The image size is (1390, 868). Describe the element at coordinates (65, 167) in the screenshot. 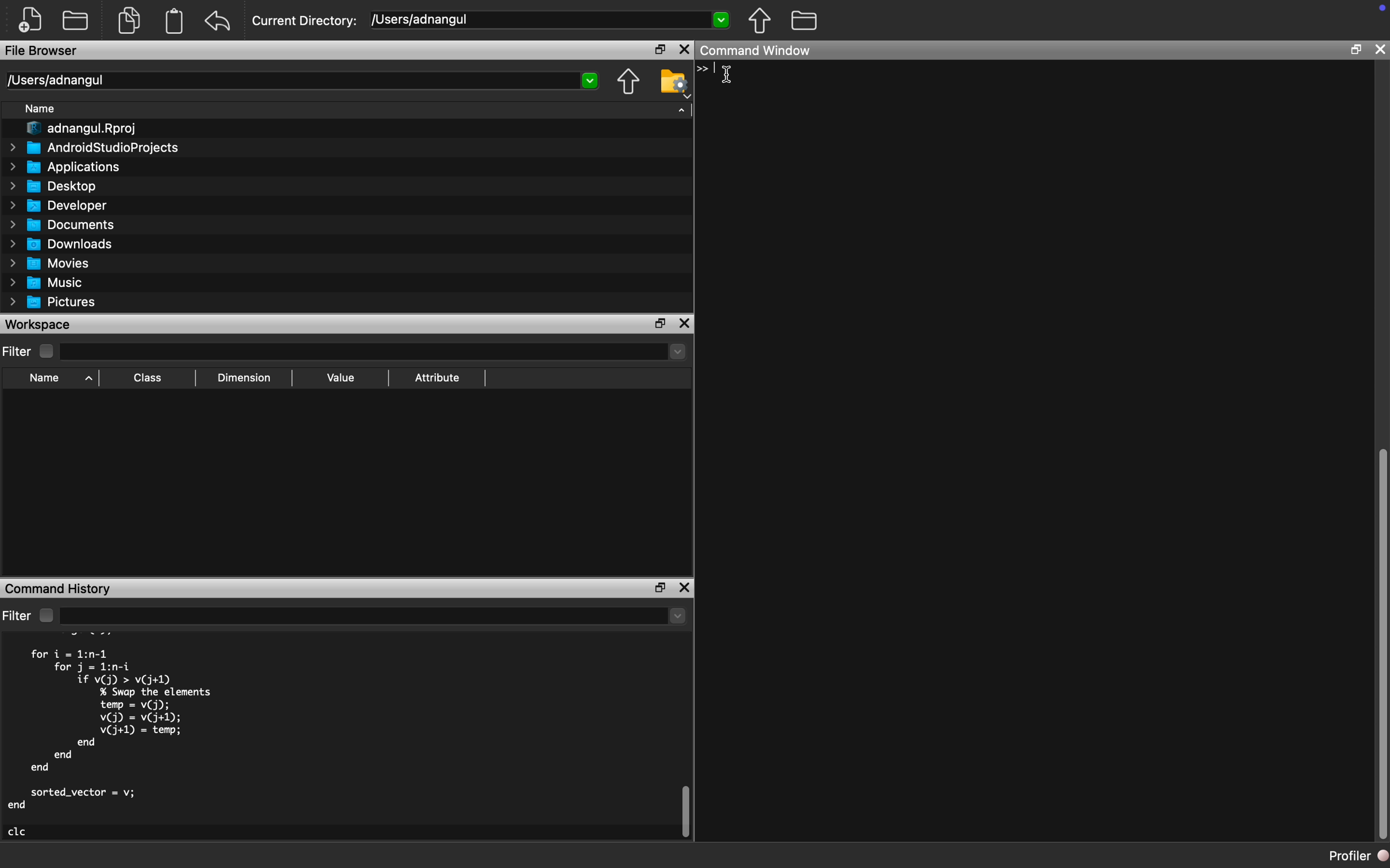

I see `Applications` at that location.